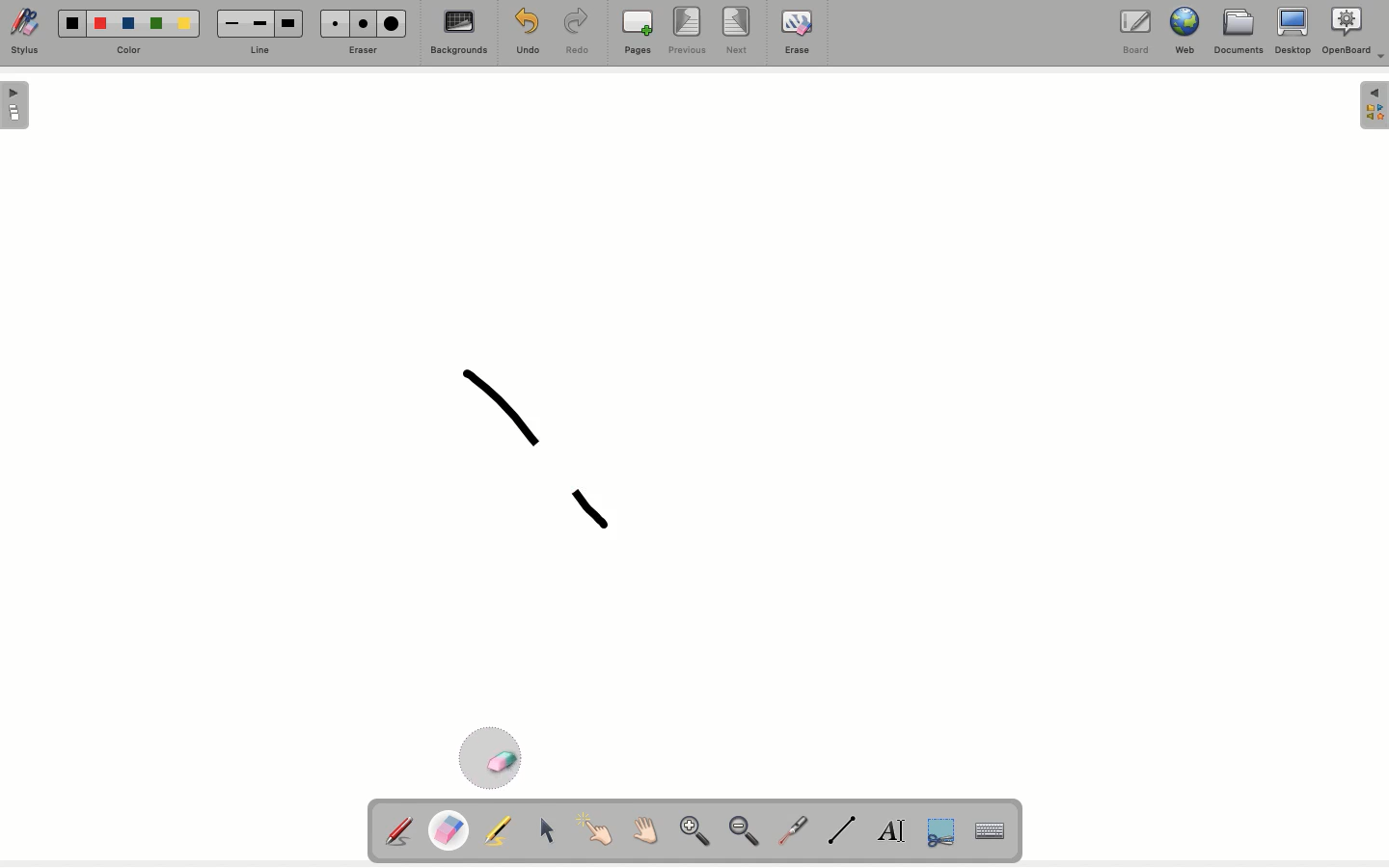 This screenshot has width=1389, height=868. Describe the element at coordinates (1292, 33) in the screenshot. I see `Desktop` at that location.